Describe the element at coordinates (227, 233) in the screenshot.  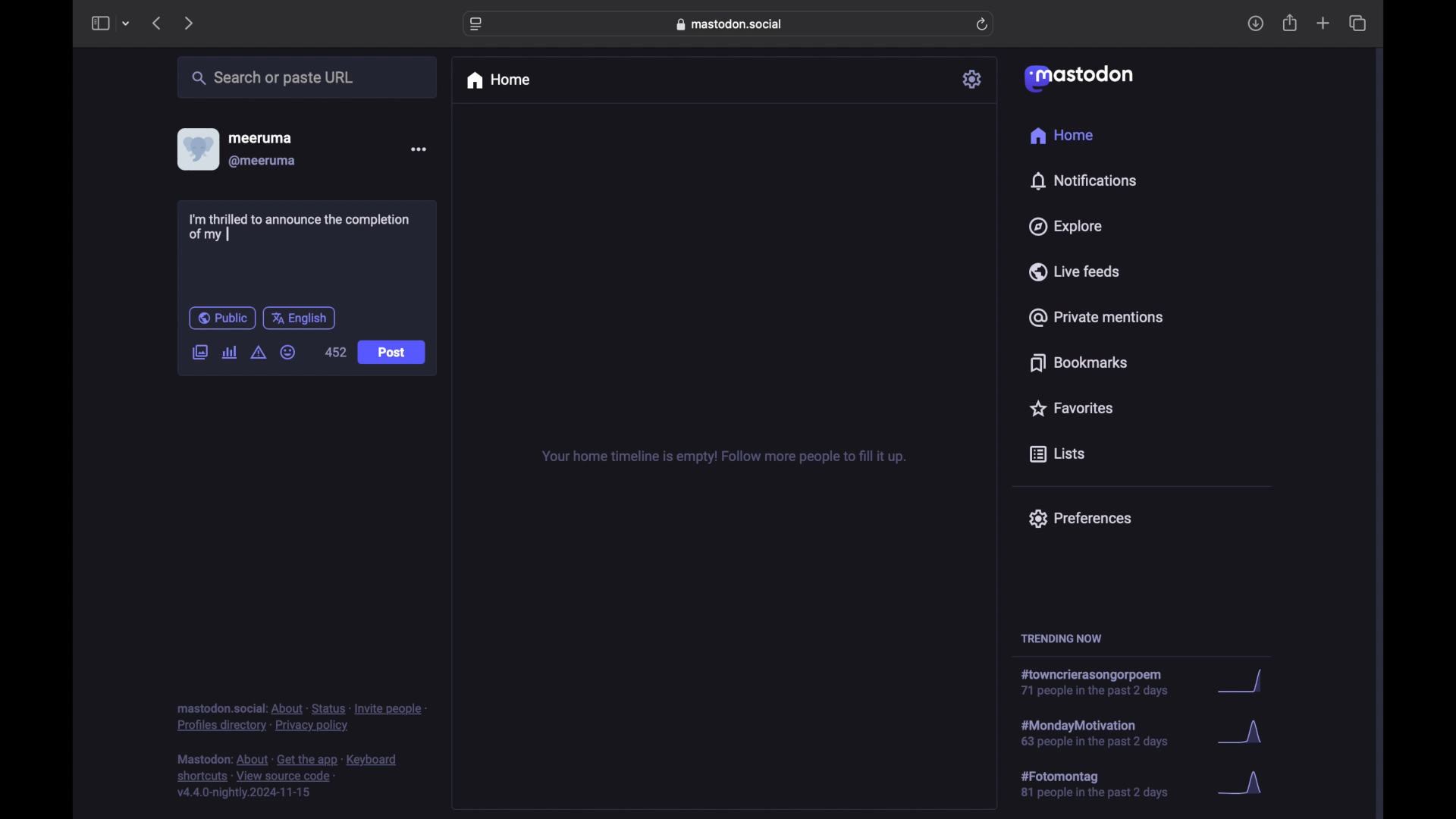
I see `text cursor` at that location.